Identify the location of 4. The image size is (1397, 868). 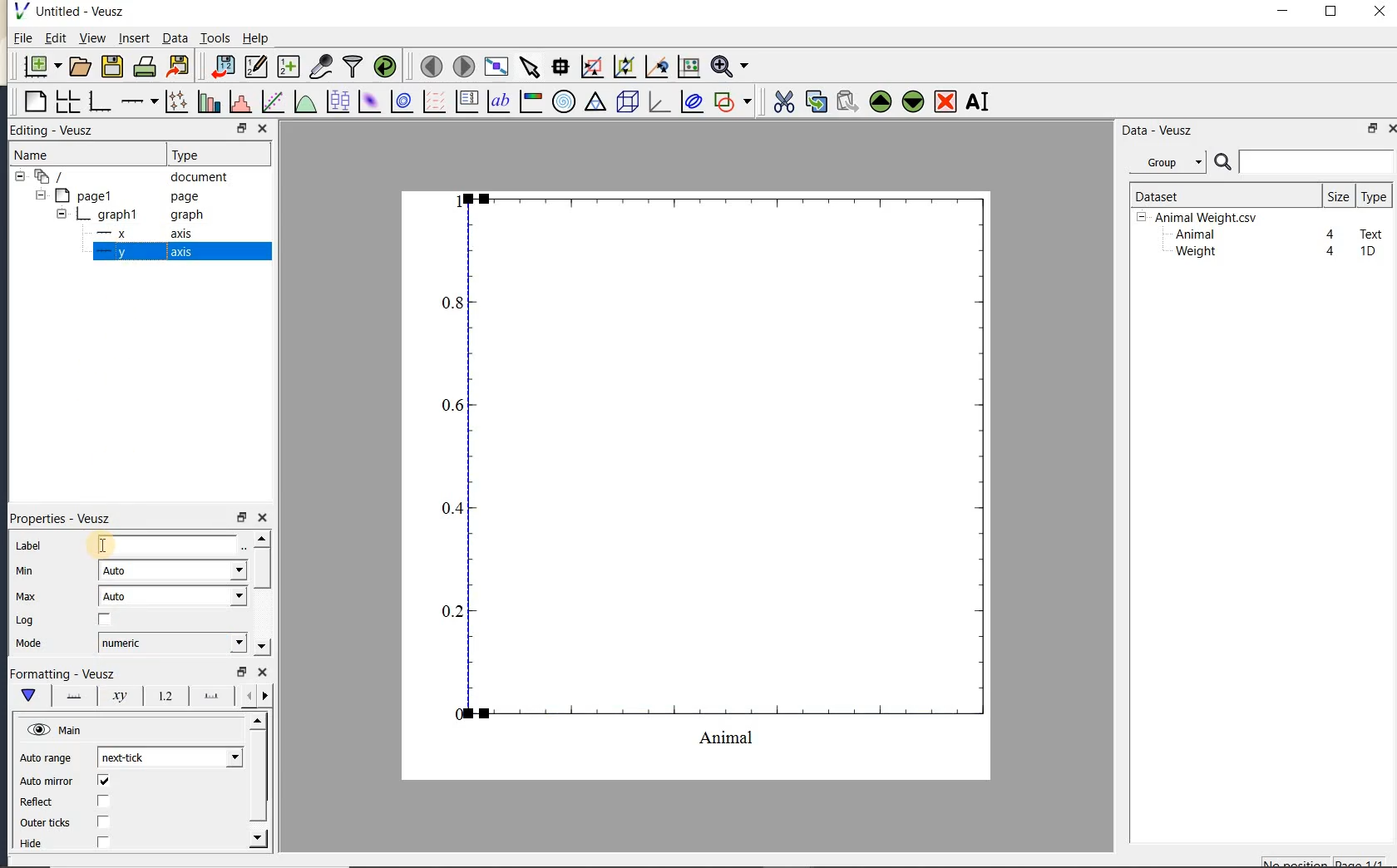
(1331, 235).